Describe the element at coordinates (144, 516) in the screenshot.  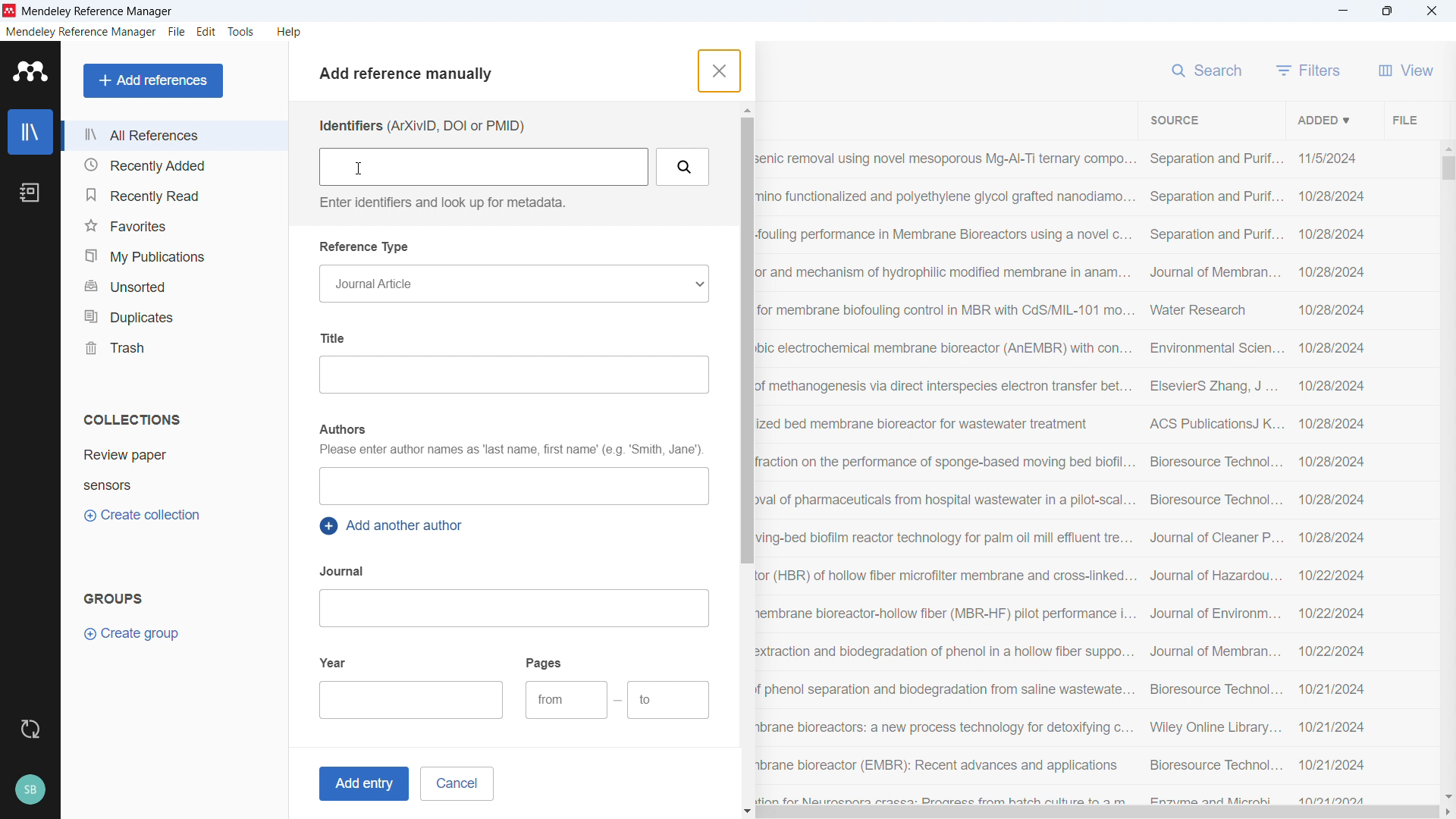
I see `Create collection ` at that location.